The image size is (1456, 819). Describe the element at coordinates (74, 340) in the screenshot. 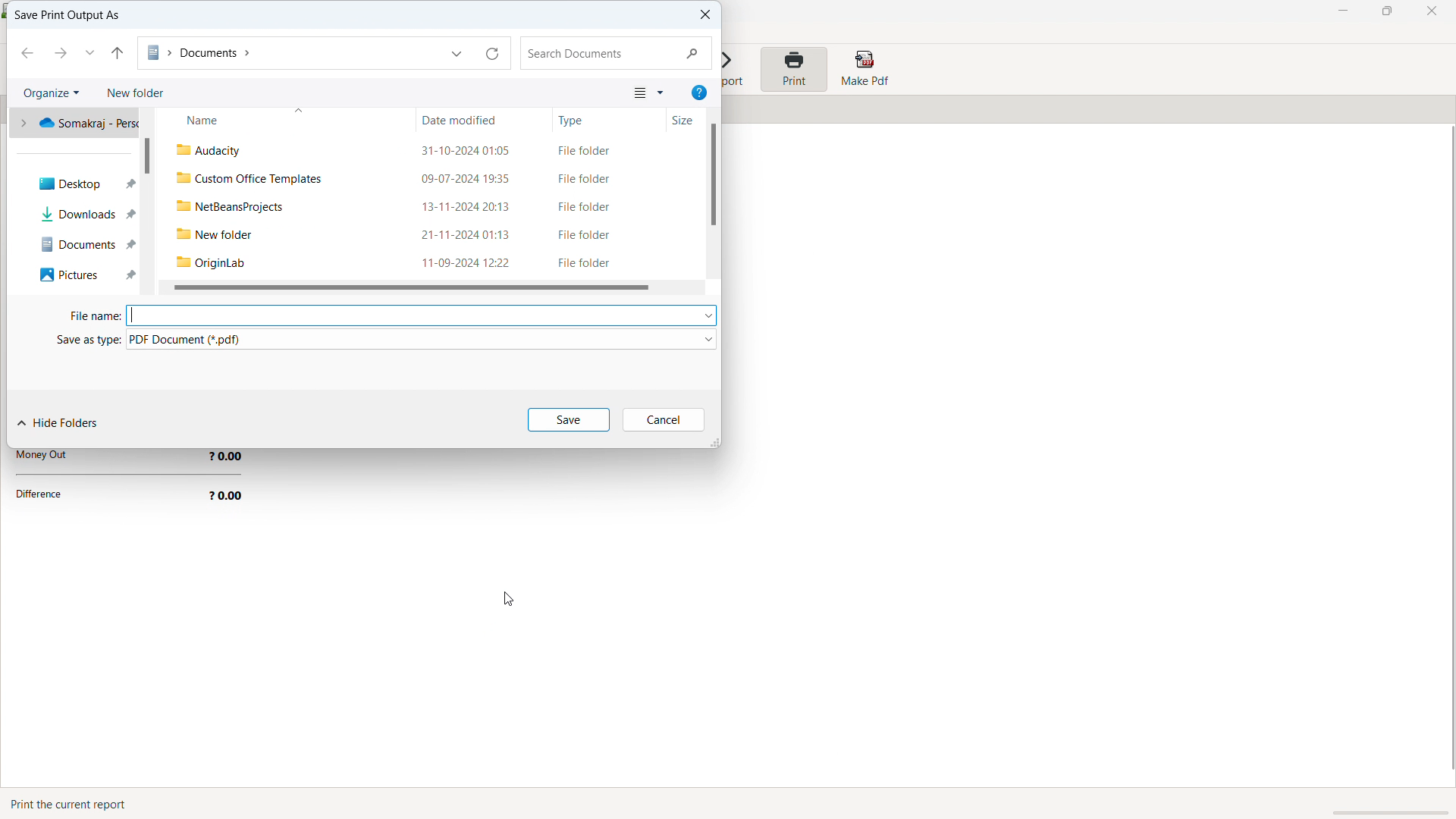

I see `Save as type:` at that location.